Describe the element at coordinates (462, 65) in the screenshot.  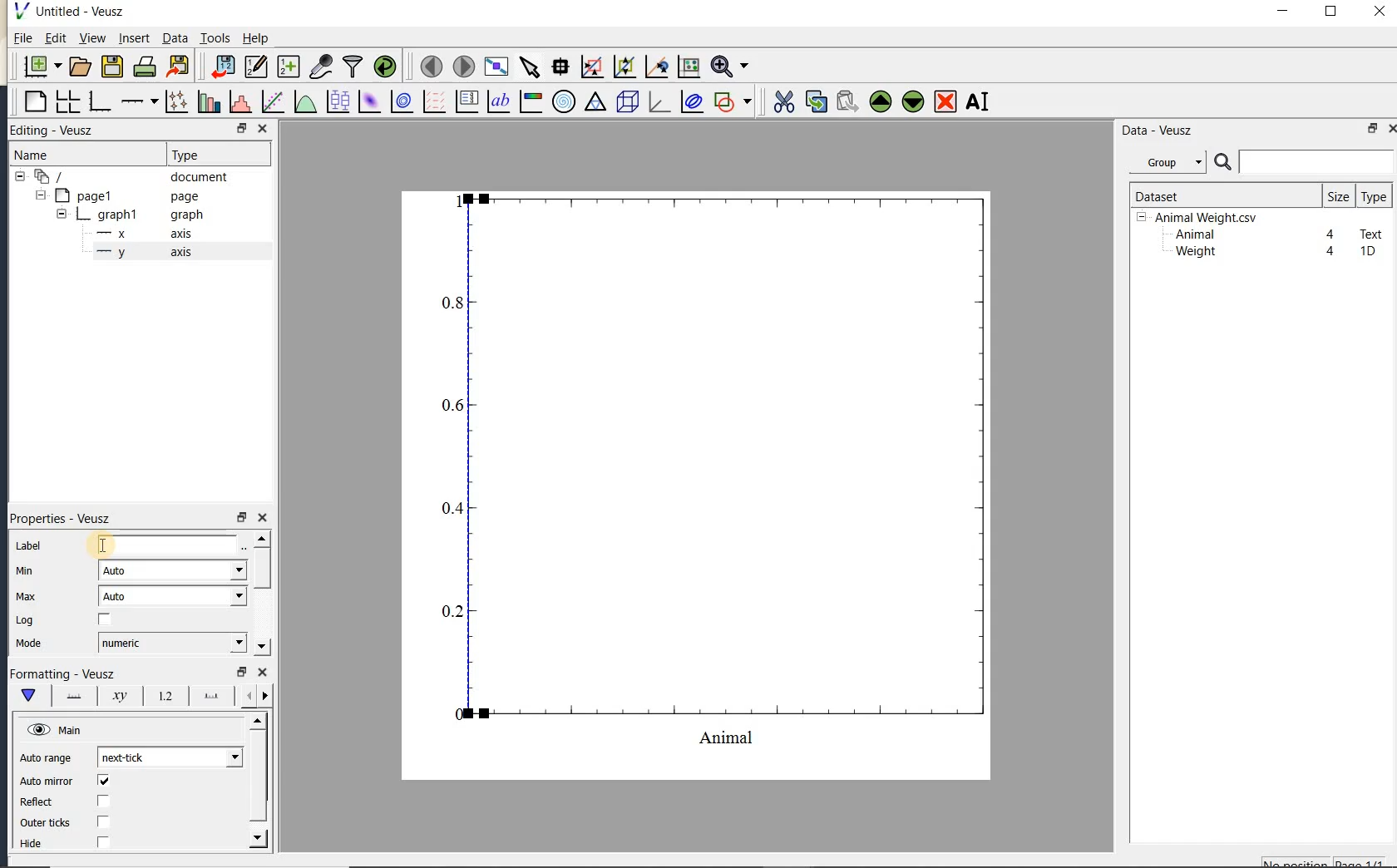
I see `move to the next page` at that location.